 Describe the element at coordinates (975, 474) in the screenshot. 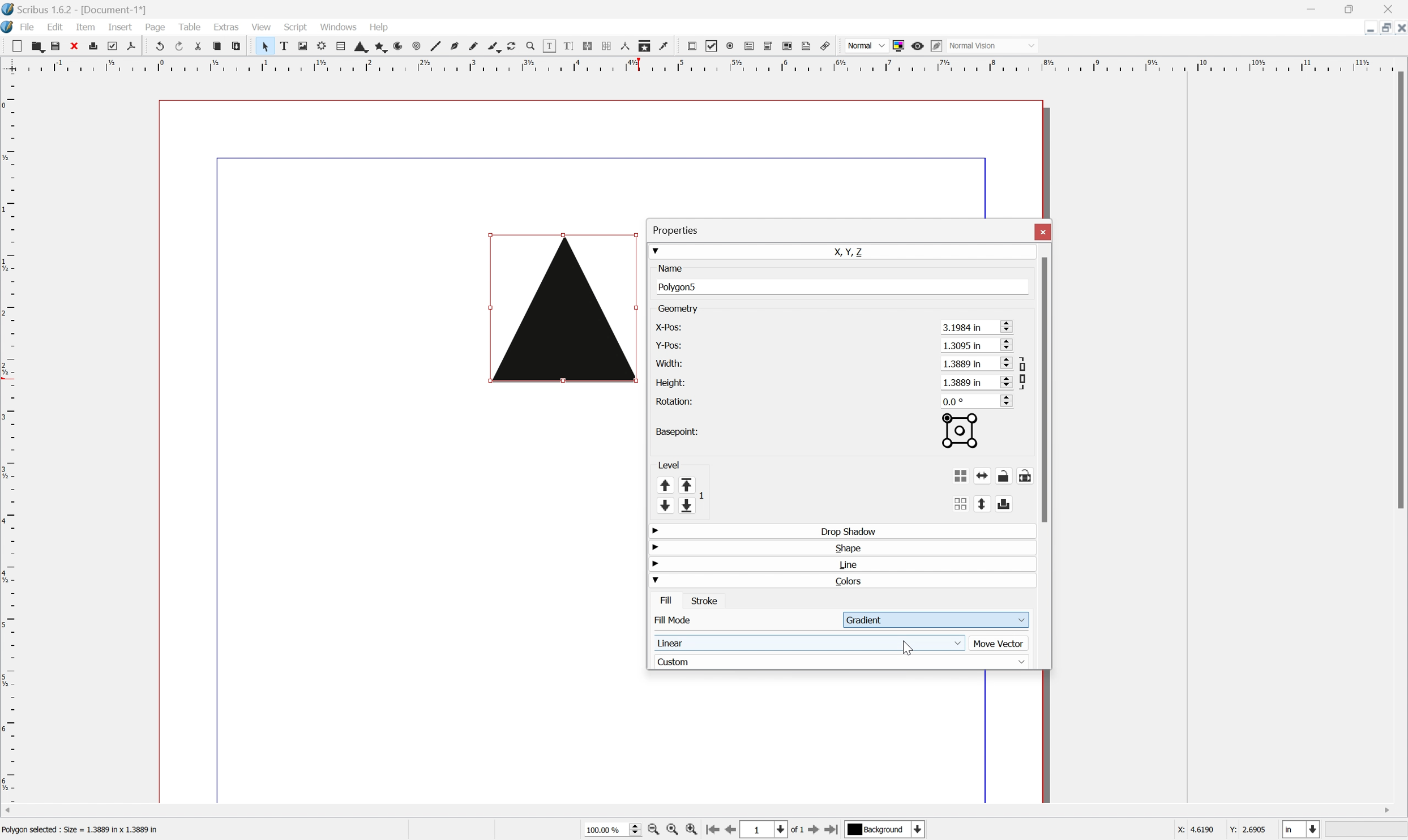

I see `Group the selected objects` at that location.